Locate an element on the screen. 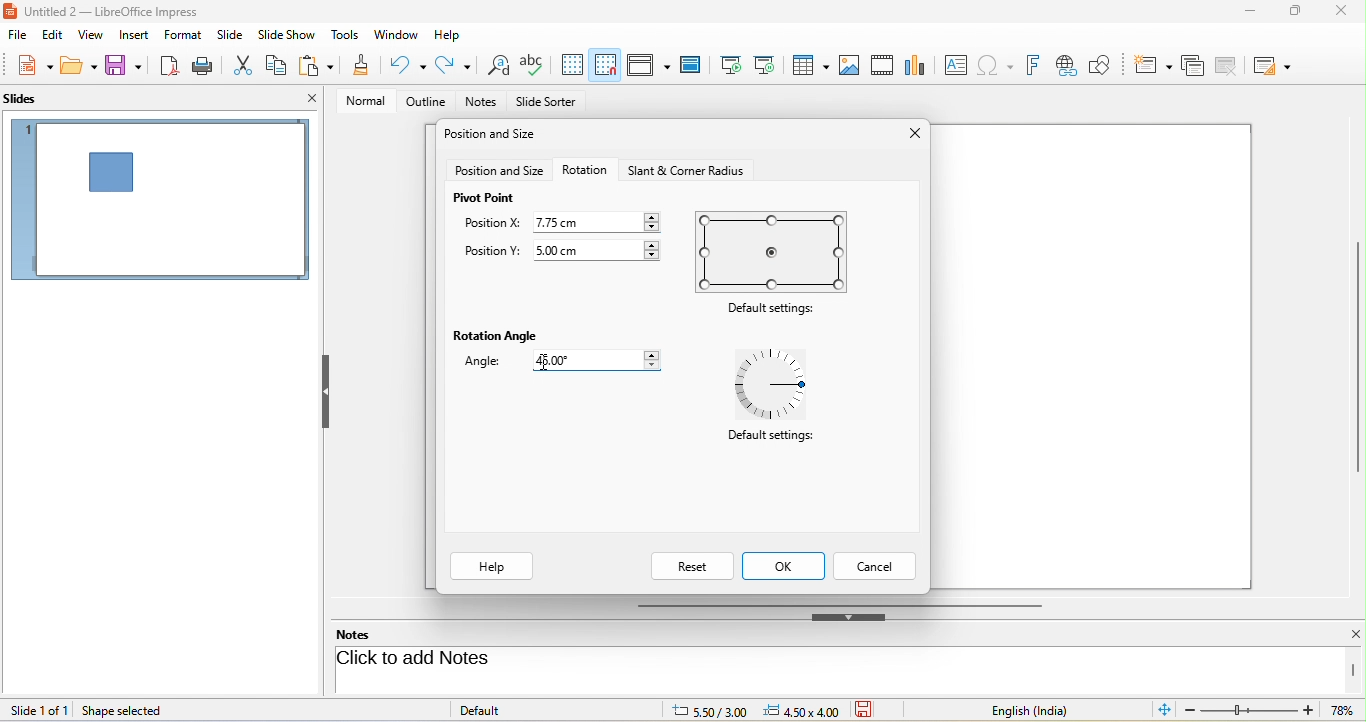 The height and width of the screenshot is (722, 1366). save is located at coordinates (125, 66).